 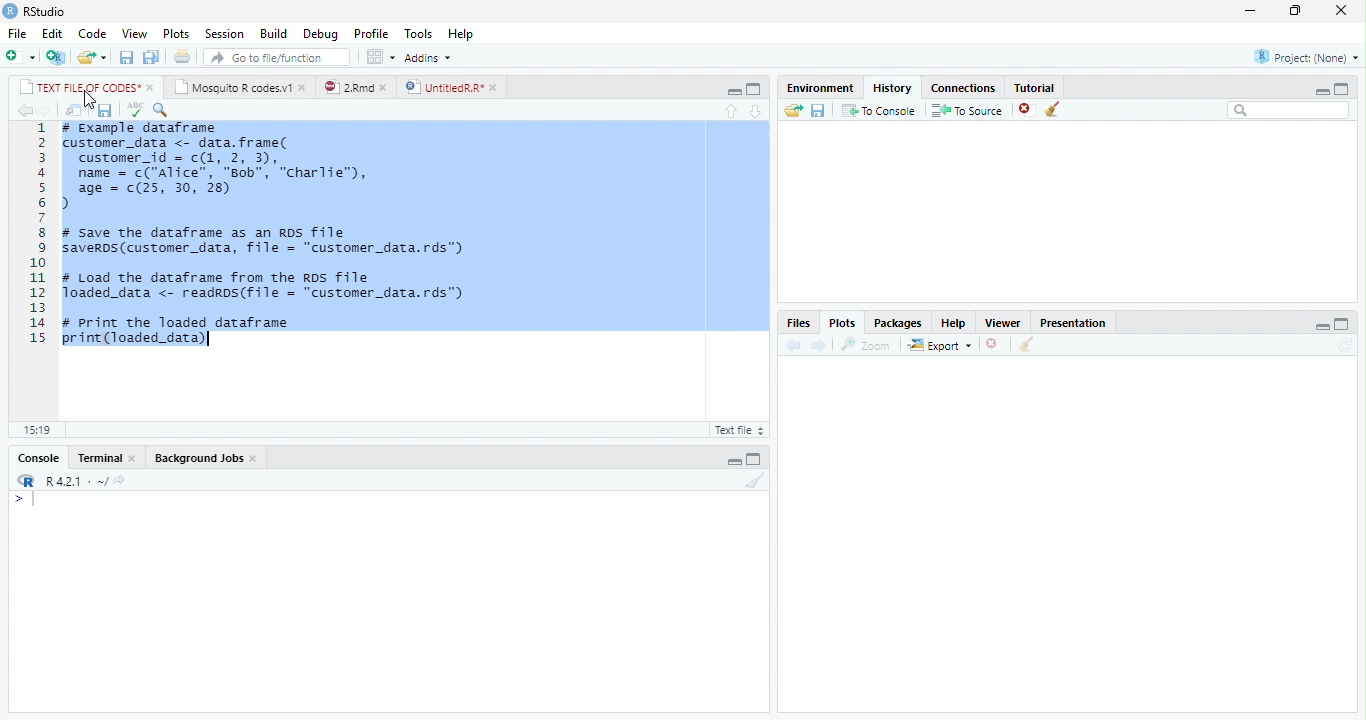 I want to click on maximize, so click(x=754, y=459).